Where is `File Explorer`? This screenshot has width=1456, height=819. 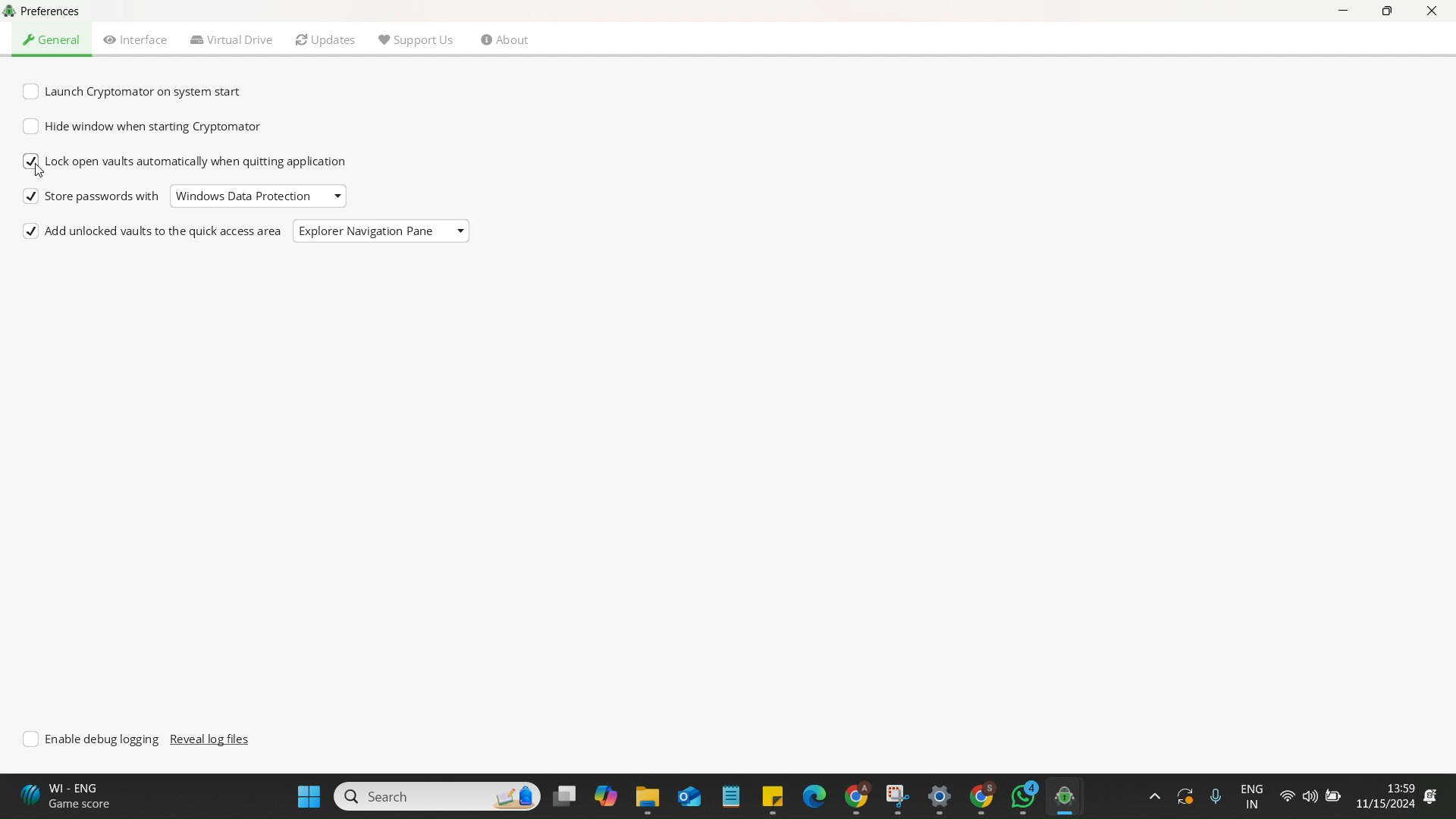 File Explorer is located at coordinates (645, 799).